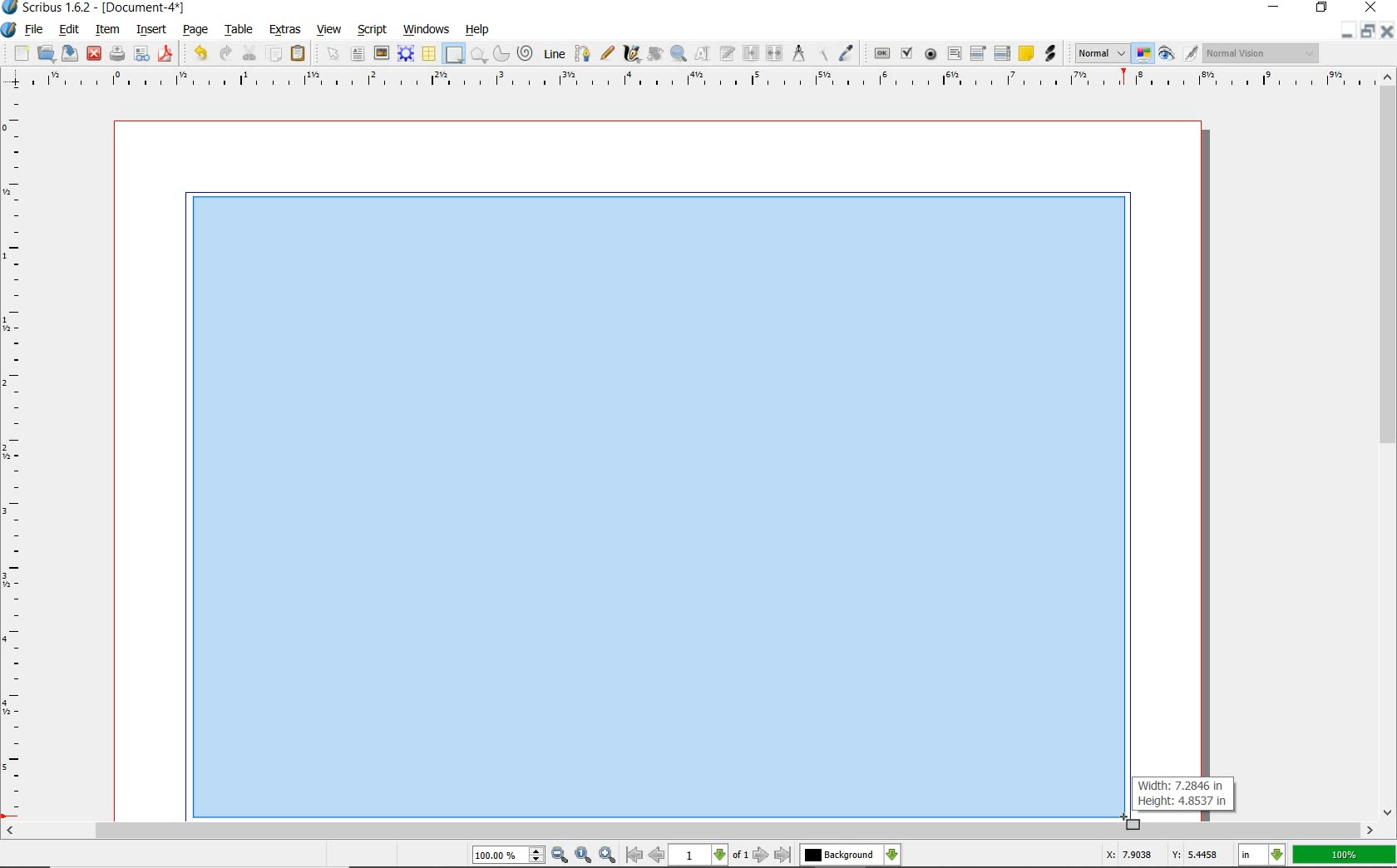  I want to click on pdf list box, so click(1002, 52).